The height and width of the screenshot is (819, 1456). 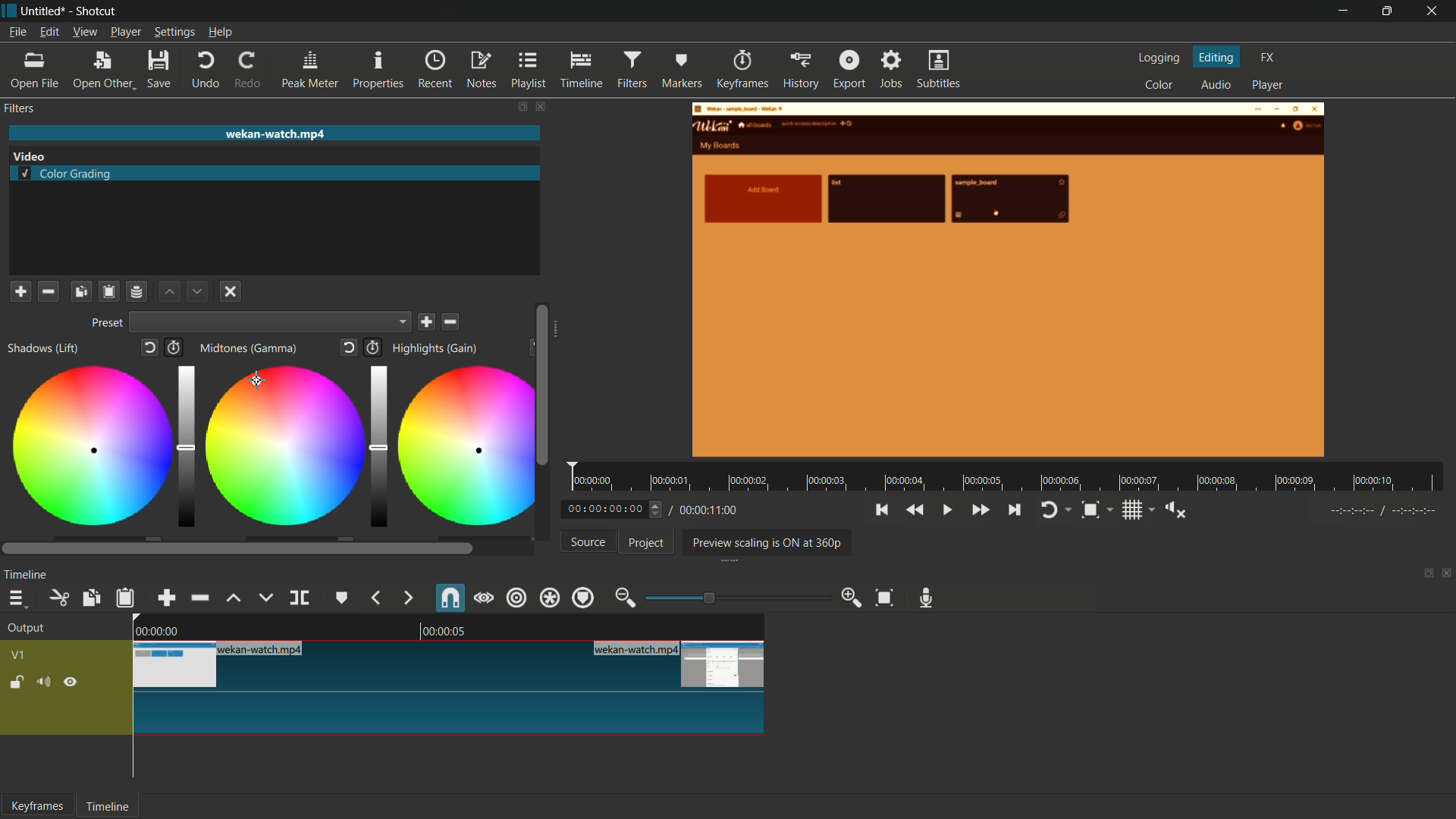 What do you see at coordinates (406, 598) in the screenshot?
I see `next marker` at bounding box center [406, 598].